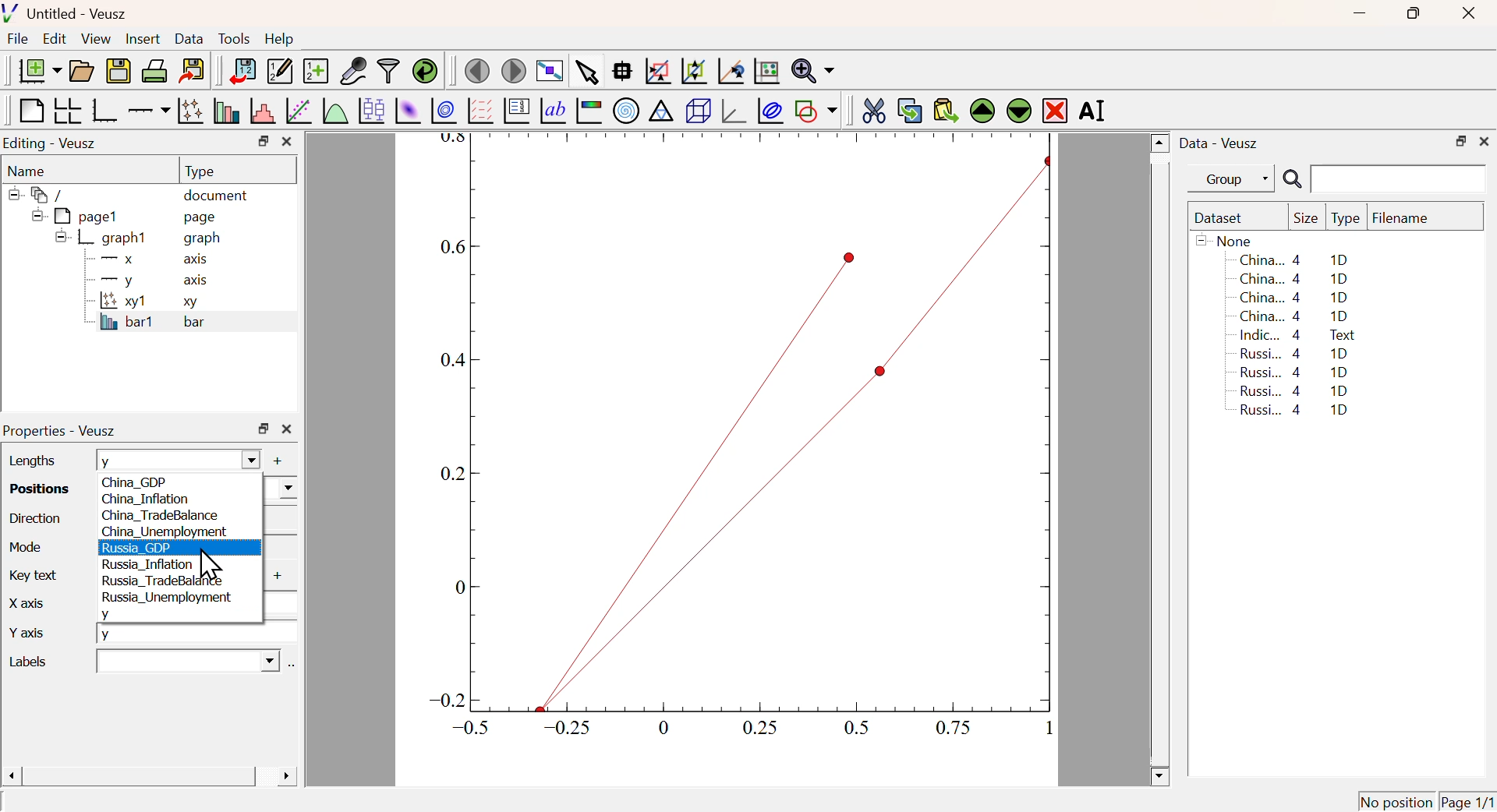 This screenshot has height=812, width=1497. What do you see at coordinates (111, 613) in the screenshot?
I see `y` at bounding box center [111, 613].